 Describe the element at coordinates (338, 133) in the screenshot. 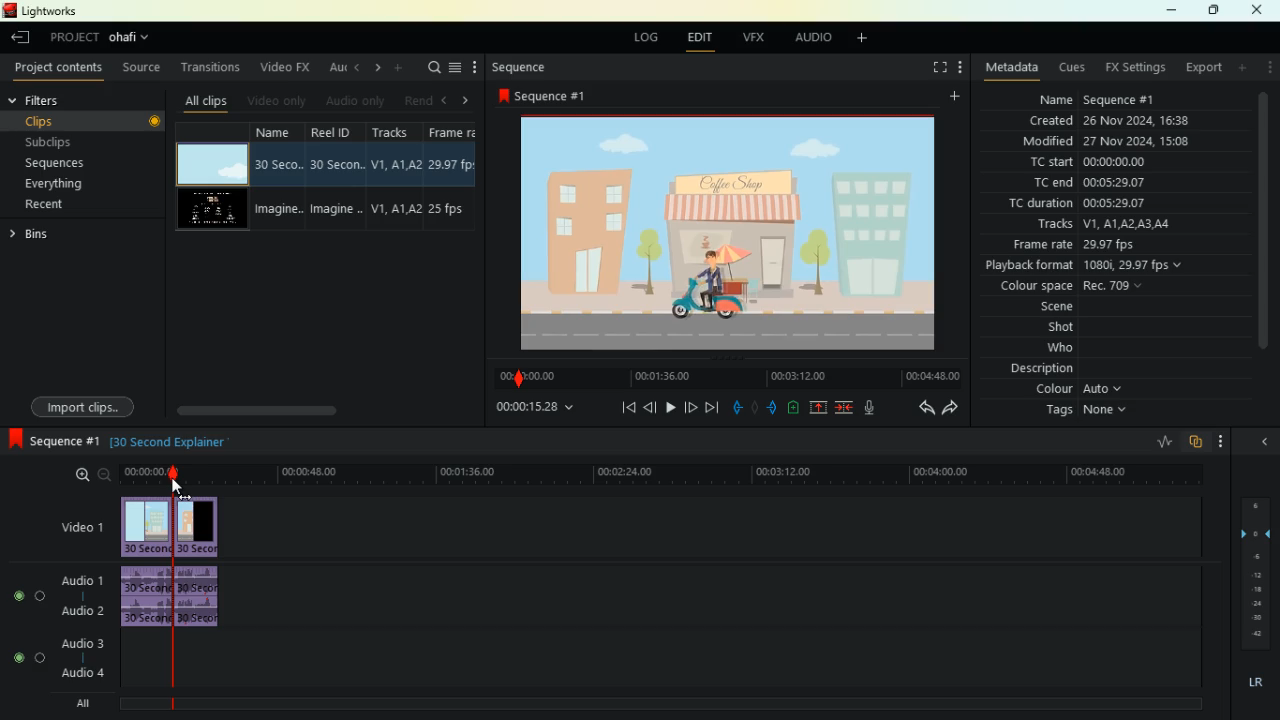

I see `reel id` at that location.